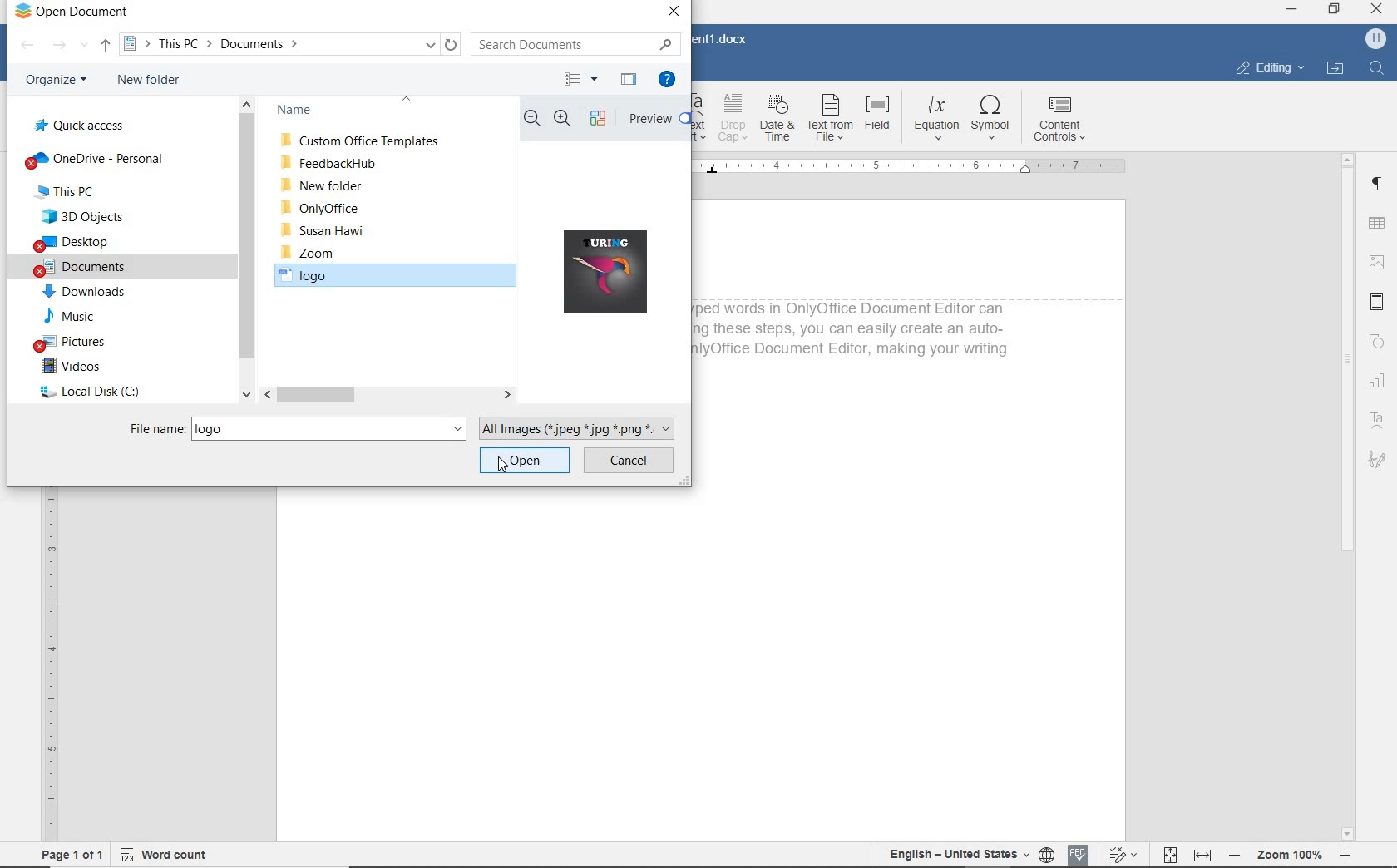  Describe the element at coordinates (1335, 10) in the screenshot. I see `maximize` at that location.